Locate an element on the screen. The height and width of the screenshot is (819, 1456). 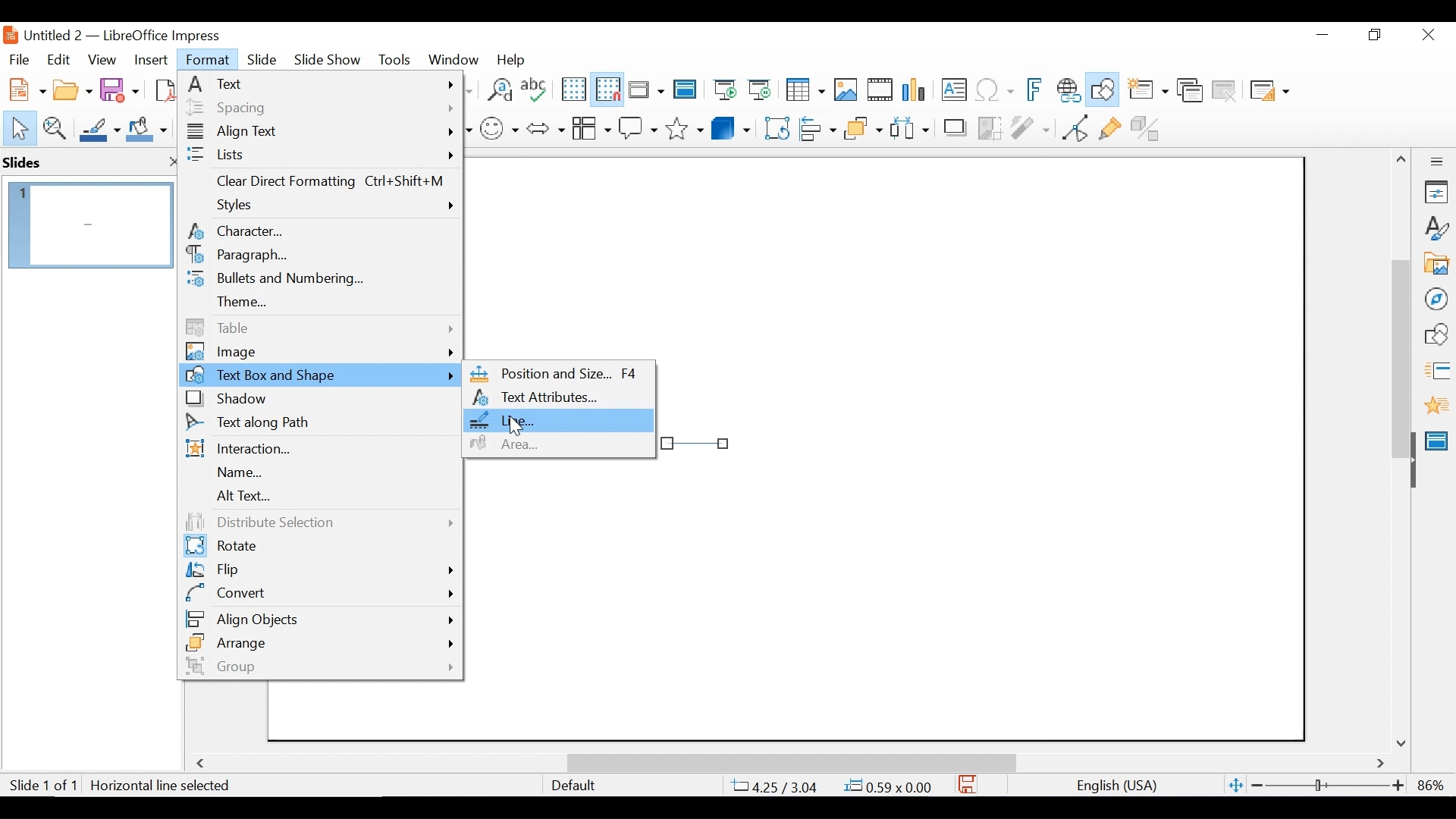
Text along path is located at coordinates (319, 425).